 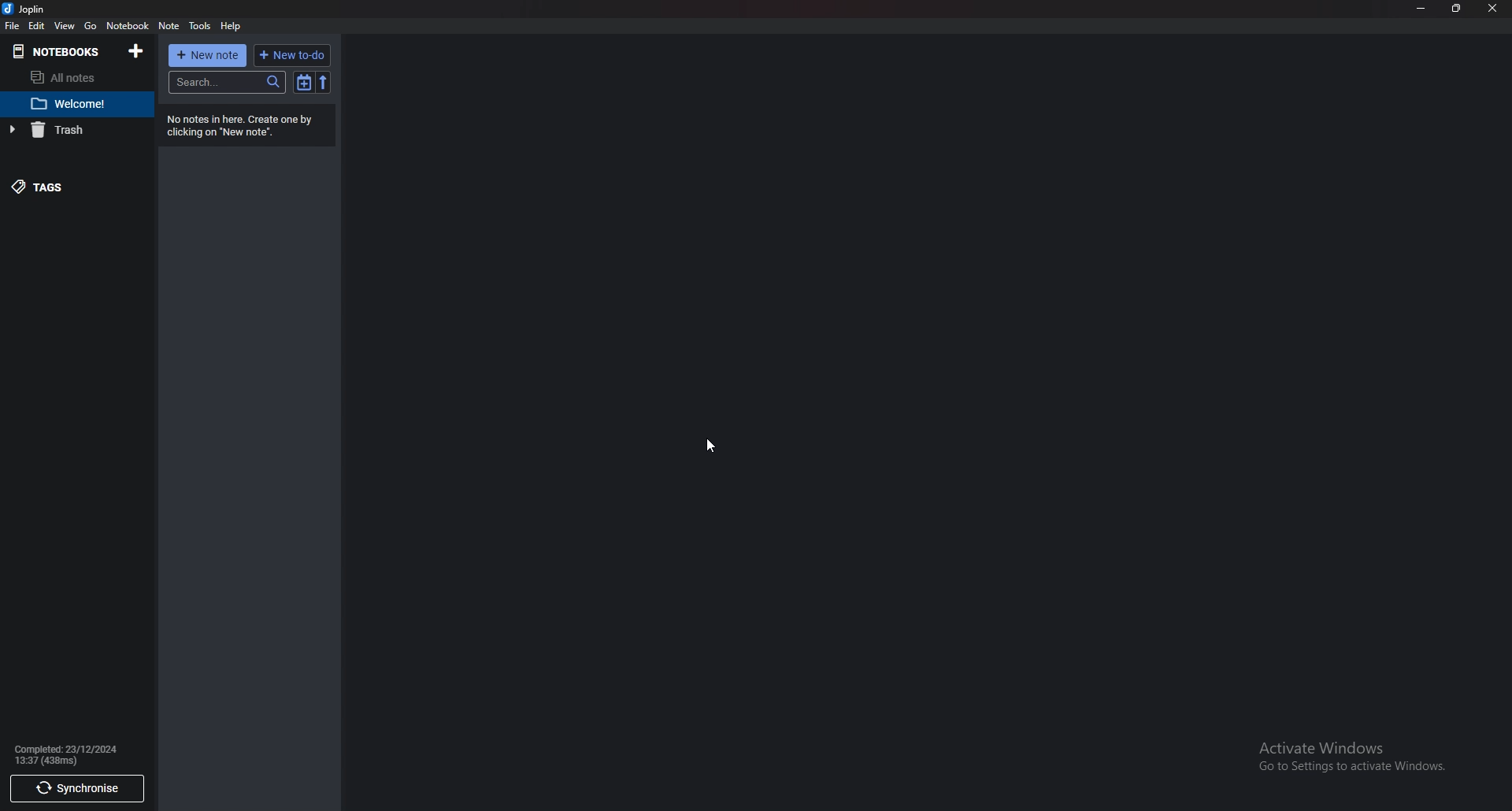 I want to click on view, so click(x=65, y=25).